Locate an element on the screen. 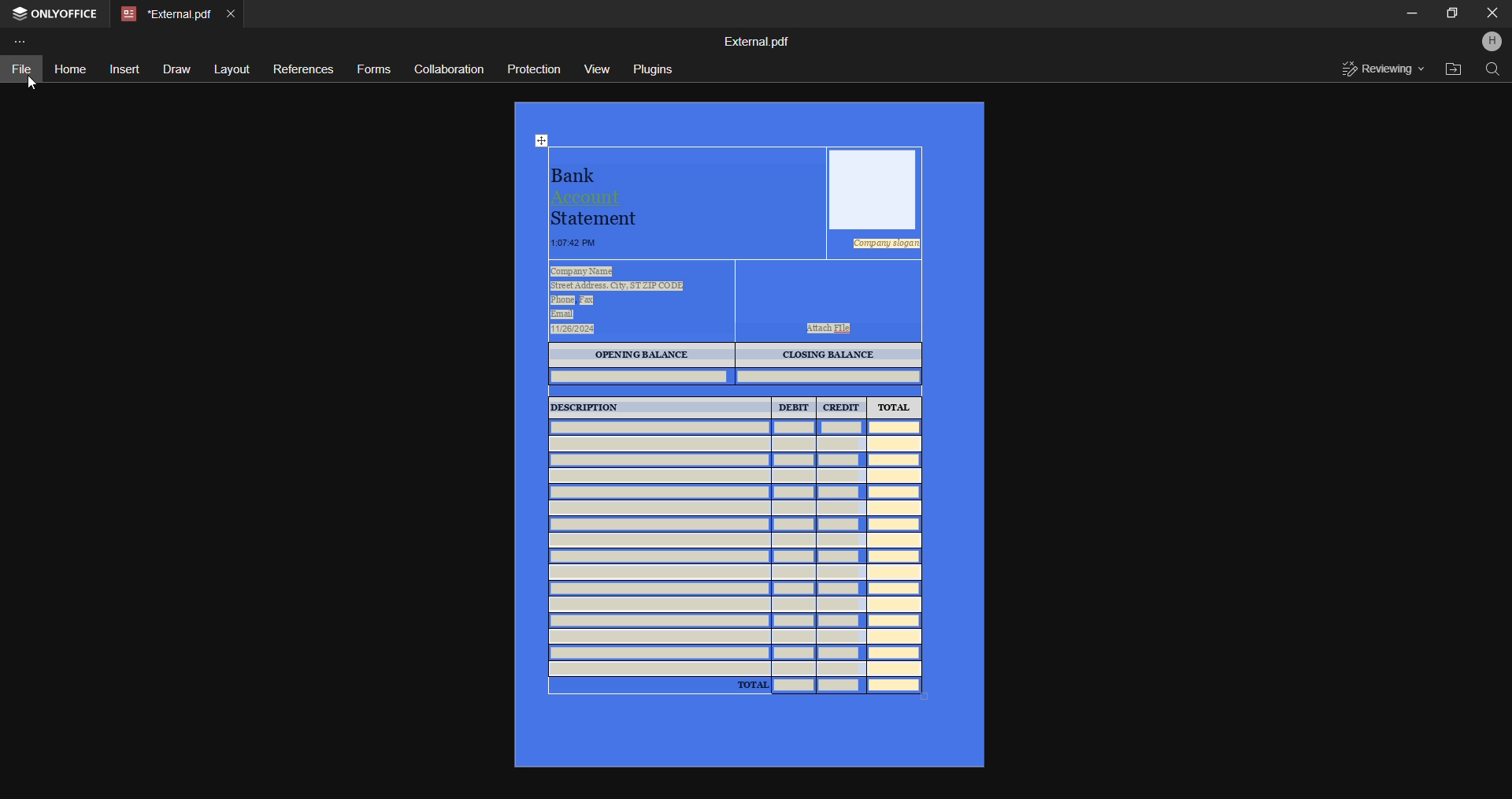 The width and height of the screenshot is (1512, 799). Maximize is located at coordinates (1451, 13).